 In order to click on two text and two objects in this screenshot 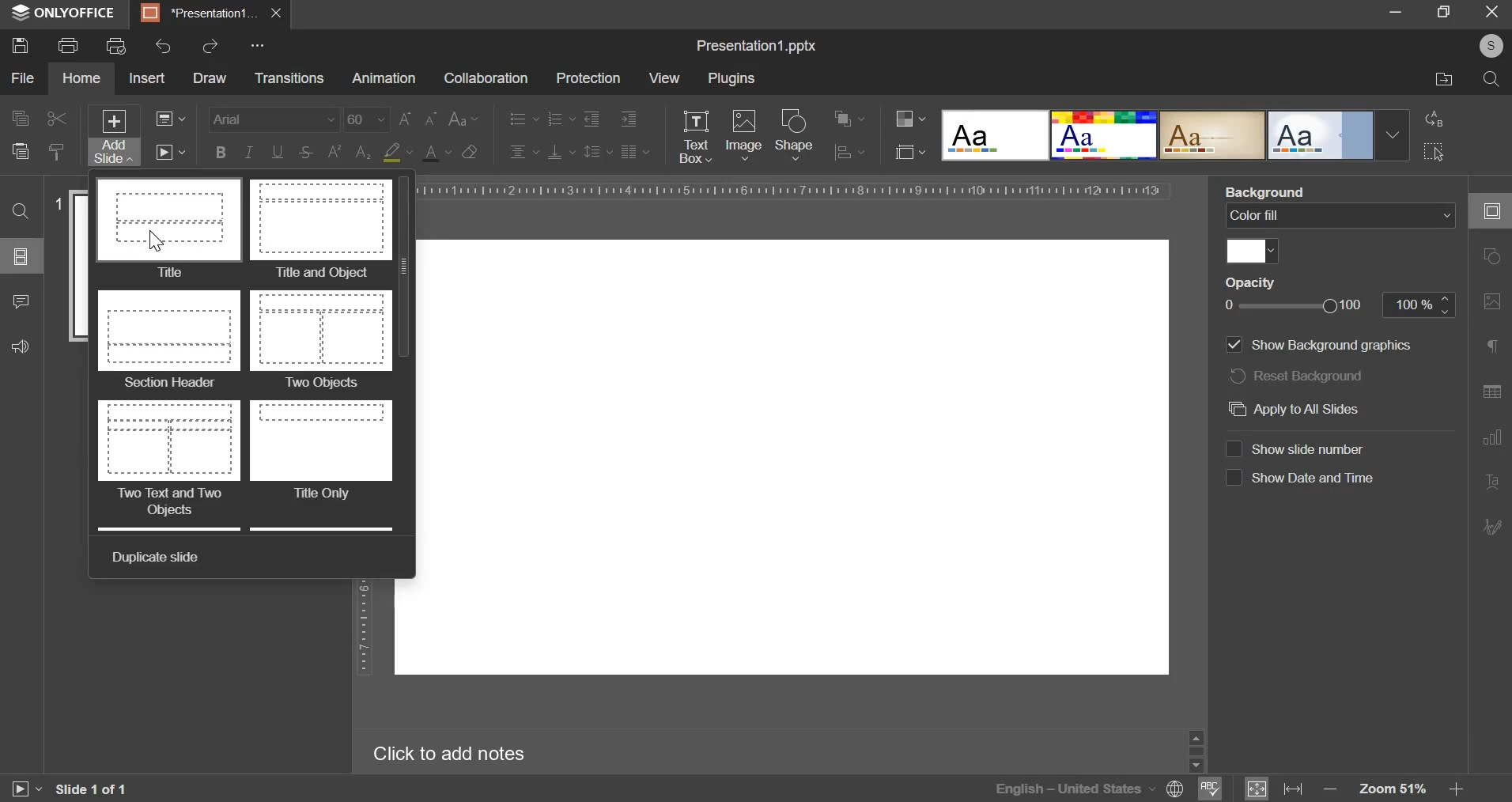, I will do `click(168, 459)`.